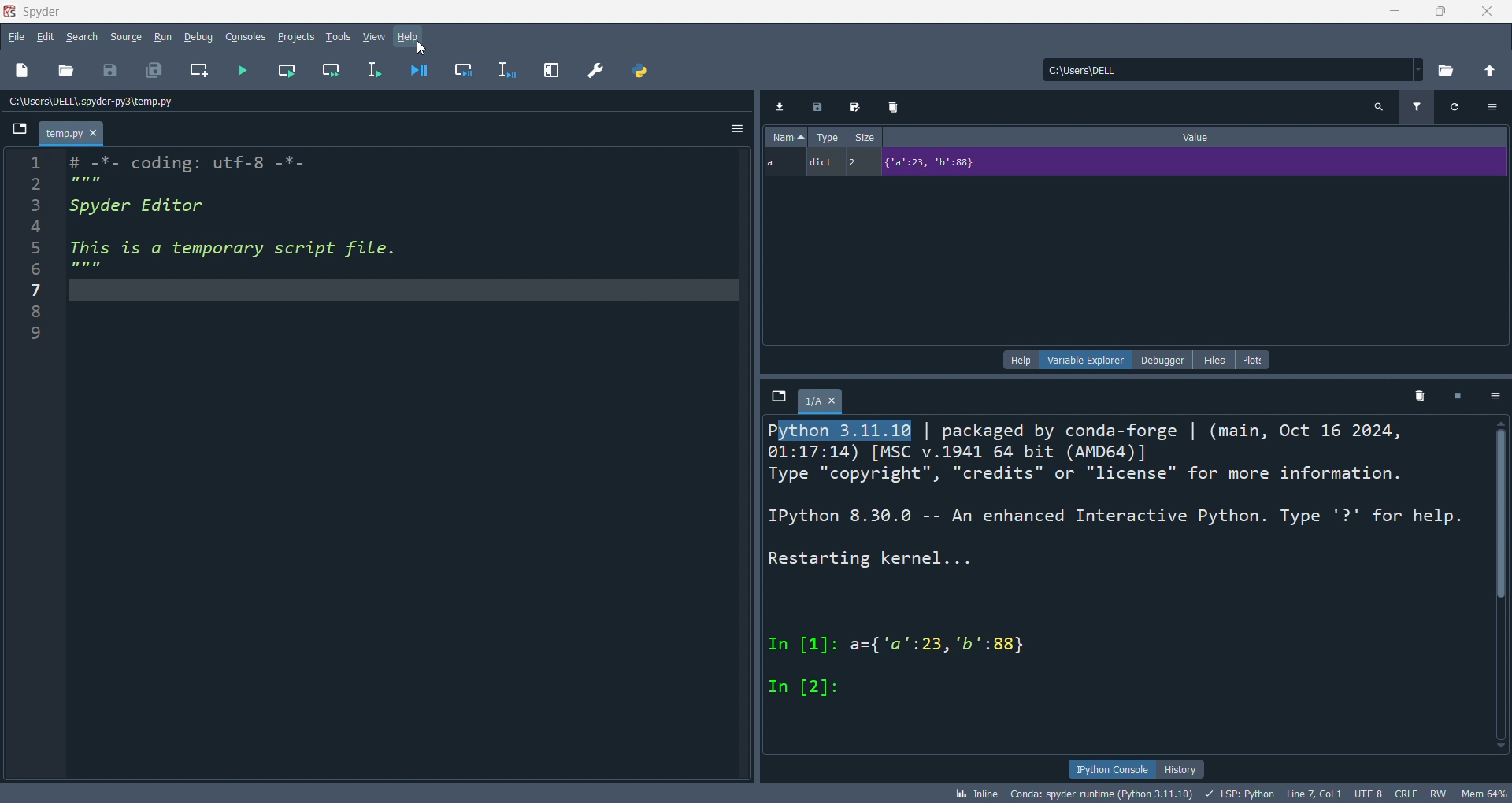 The image size is (1512, 803). Describe the element at coordinates (1492, 70) in the screenshot. I see `open parent directory` at that location.